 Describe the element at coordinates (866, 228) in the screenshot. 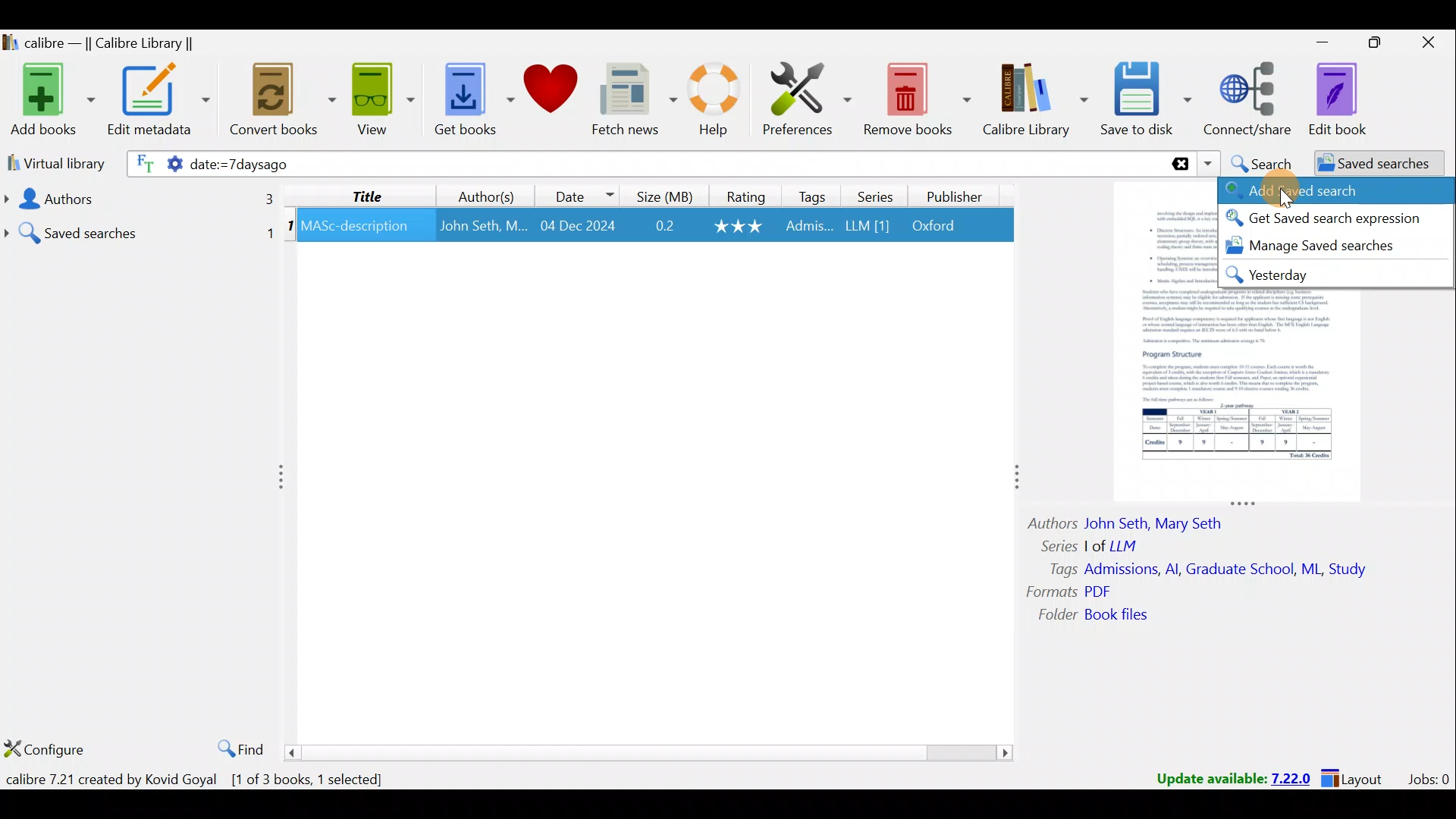

I see `LLM [1]` at that location.